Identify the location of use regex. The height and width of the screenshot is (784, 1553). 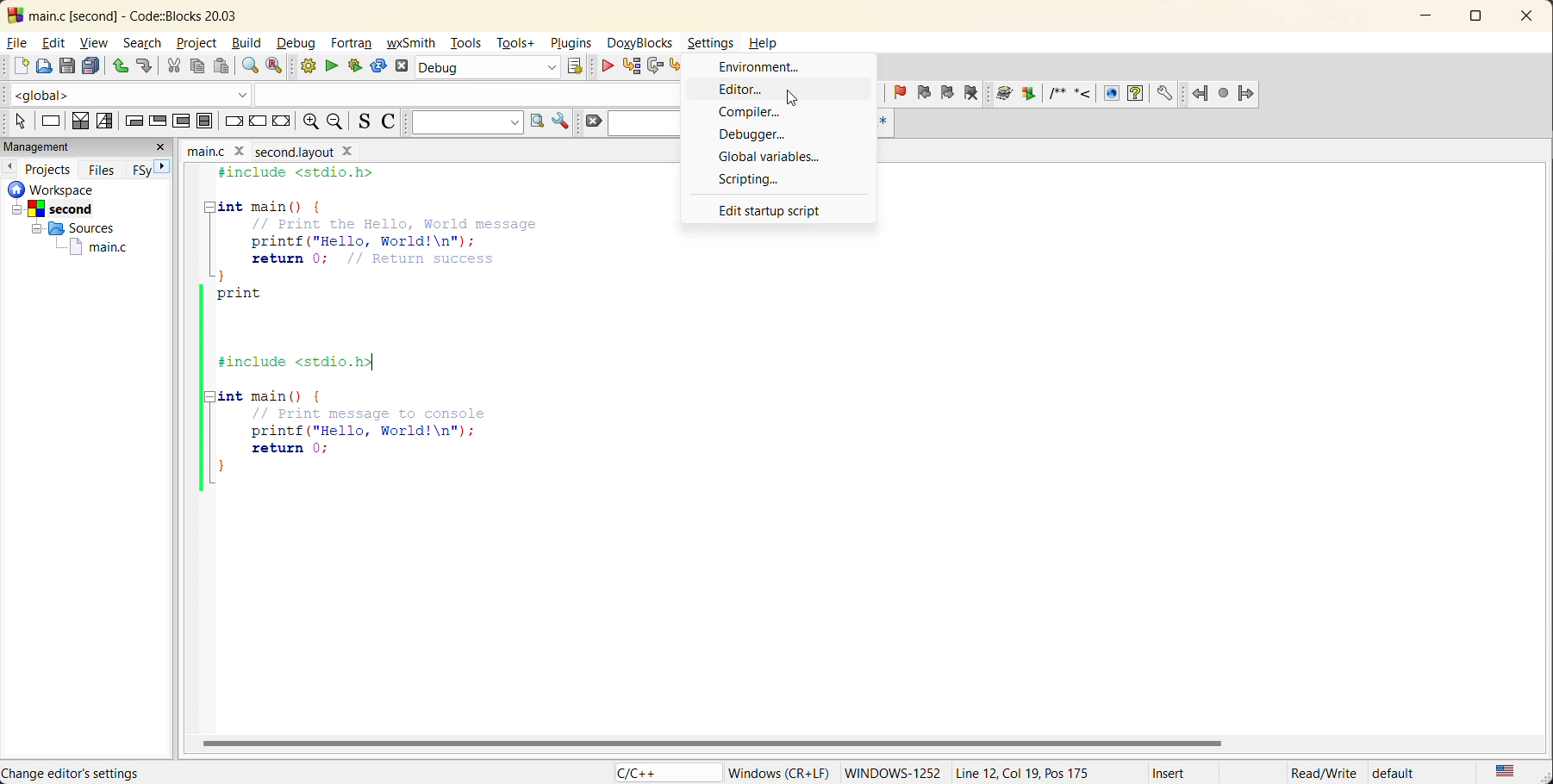
(888, 120).